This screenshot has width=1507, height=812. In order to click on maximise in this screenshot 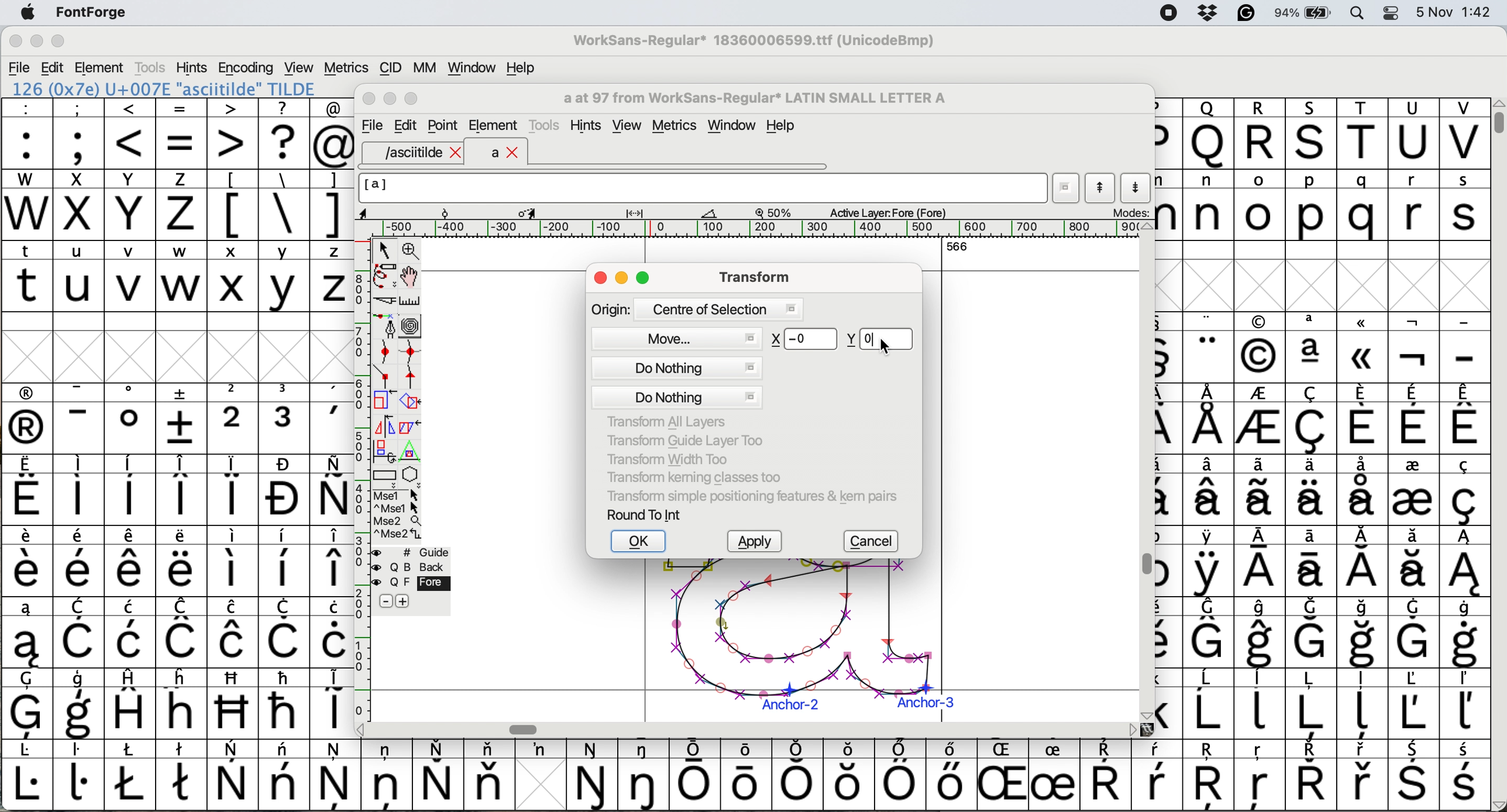, I will do `click(645, 280)`.